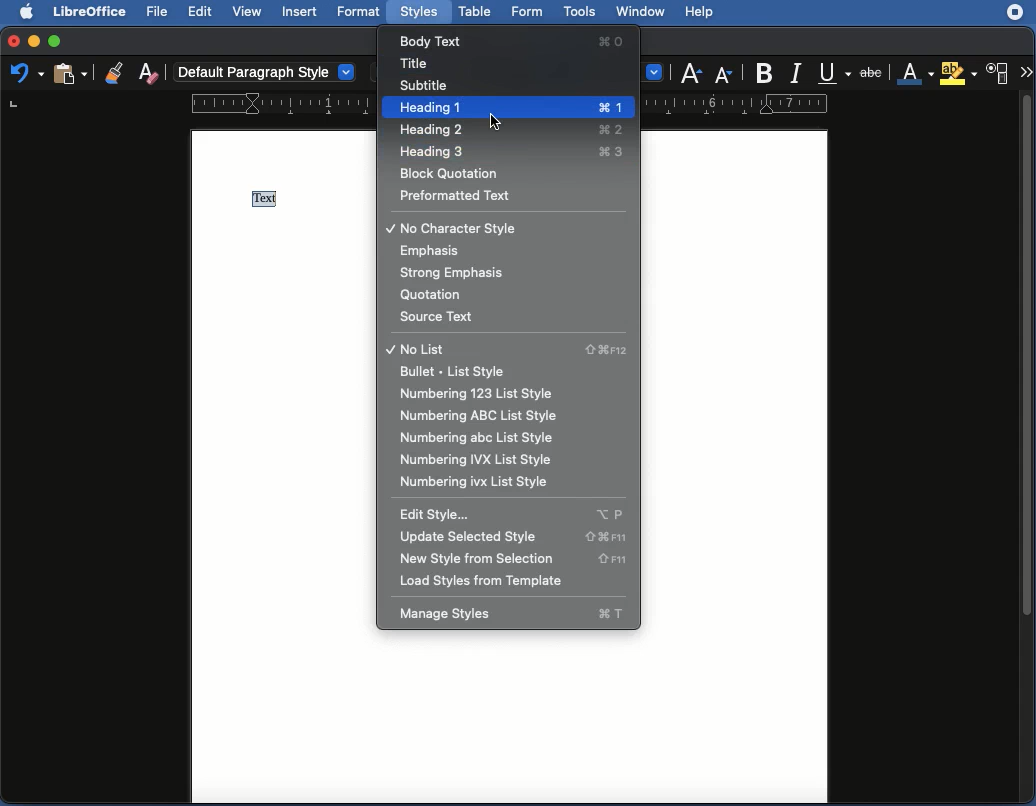 The image size is (1036, 806). What do you see at coordinates (202, 12) in the screenshot?
I see `Edit` at bounding box center [202, 12].